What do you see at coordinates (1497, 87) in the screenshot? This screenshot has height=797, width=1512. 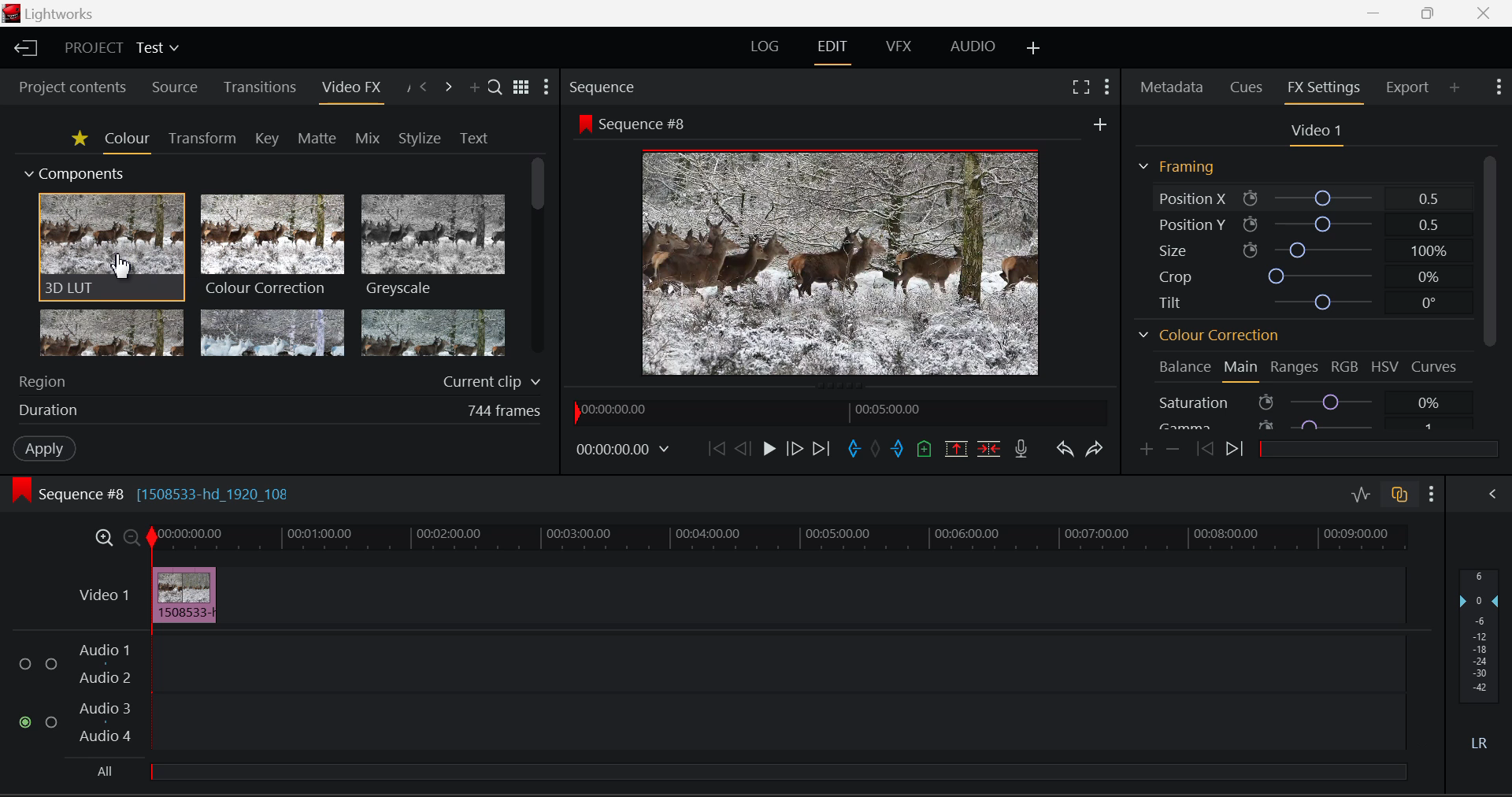 I see `Show Settings` at bounding box center [1497, 87].